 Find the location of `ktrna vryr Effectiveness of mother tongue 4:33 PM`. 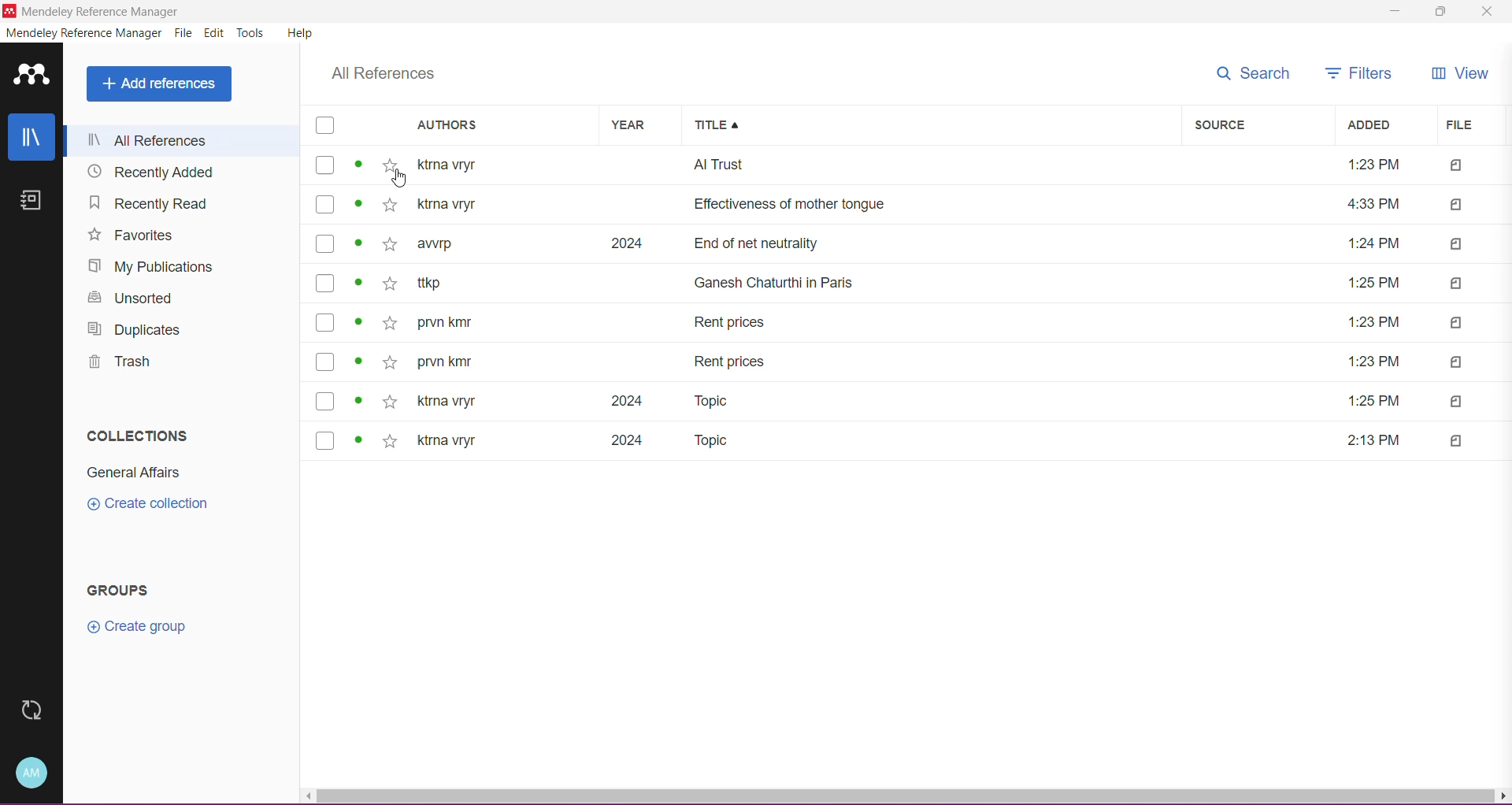

ktrna vryr Effectiveness of mother tongue 4:33 PM is located at coordinates (910, 204).